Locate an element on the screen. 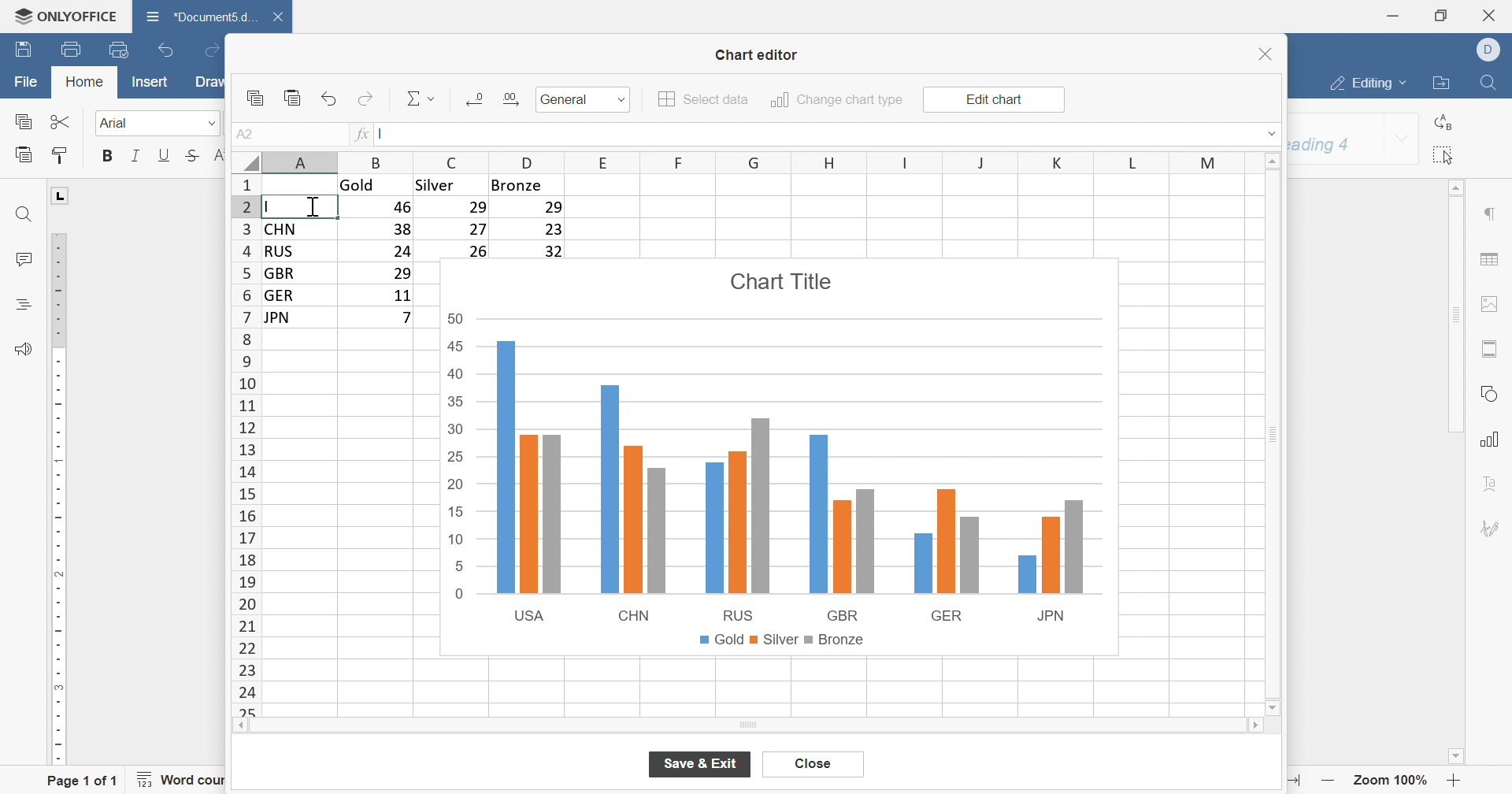 The image size is (1512, 794). Table is located at coordinates (499, 215).